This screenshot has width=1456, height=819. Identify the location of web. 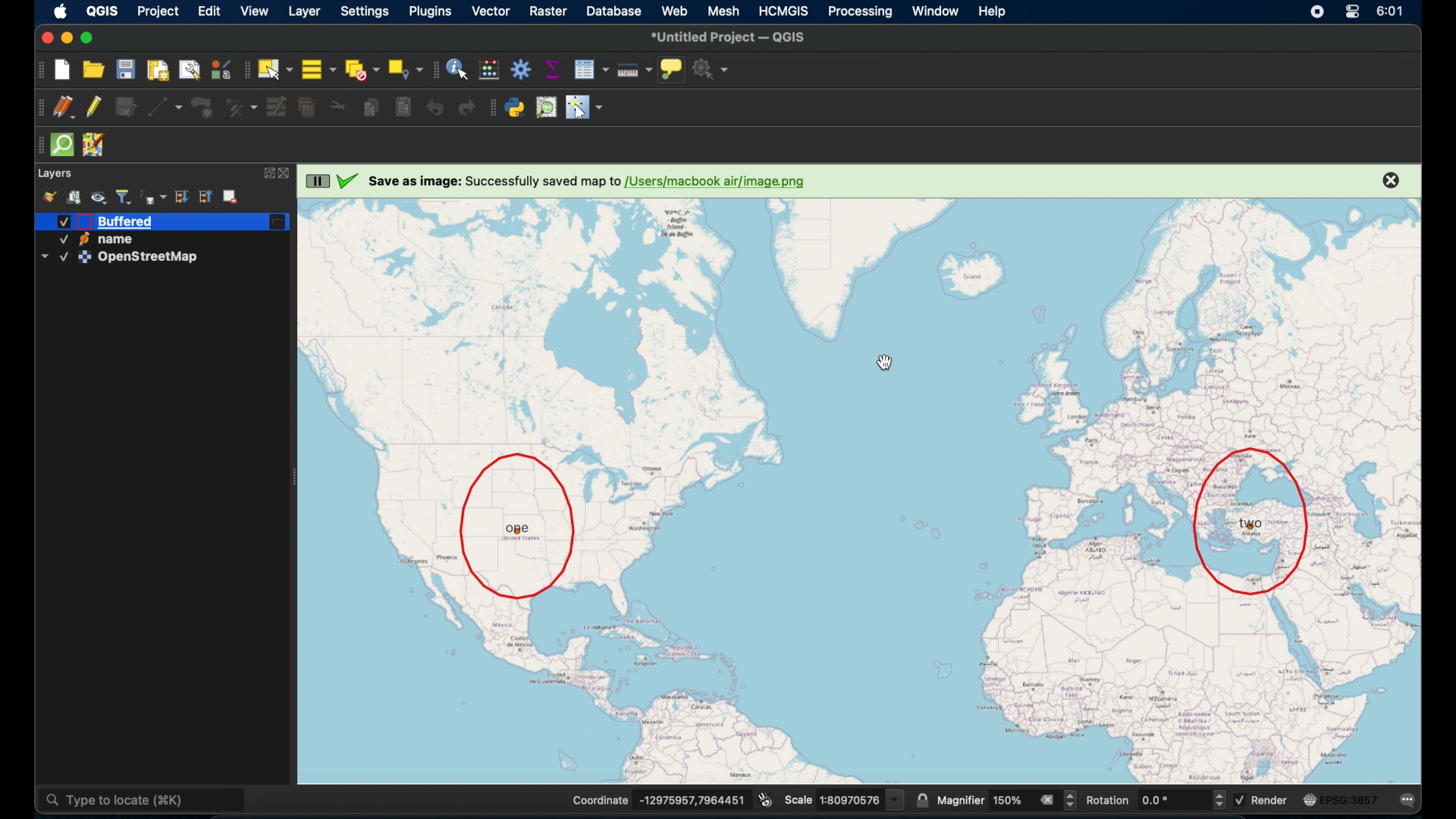
(674, 8).